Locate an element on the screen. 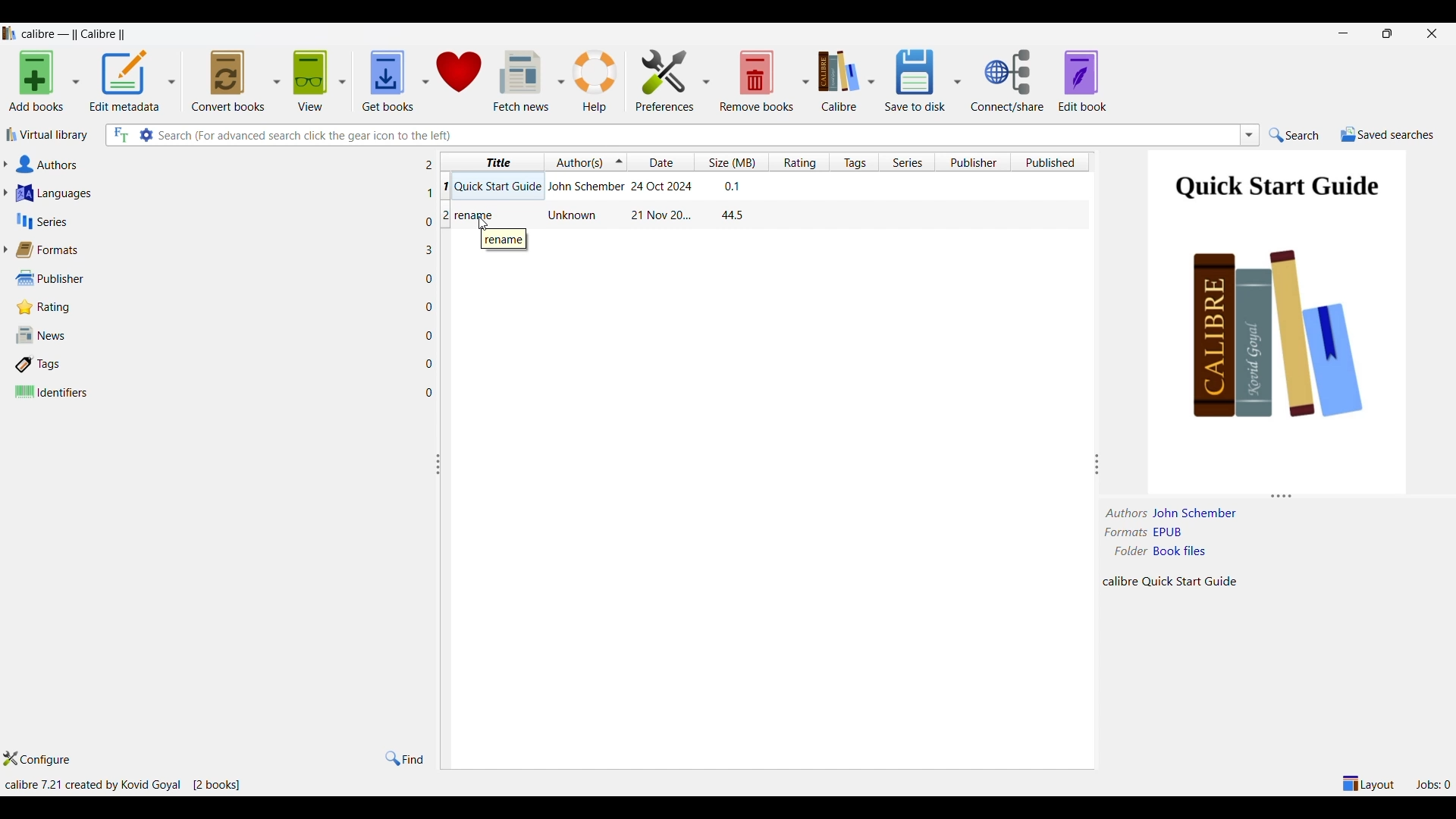 This screenshot has width=1456, height=819. Published column is located at coordinates (1053, 162).